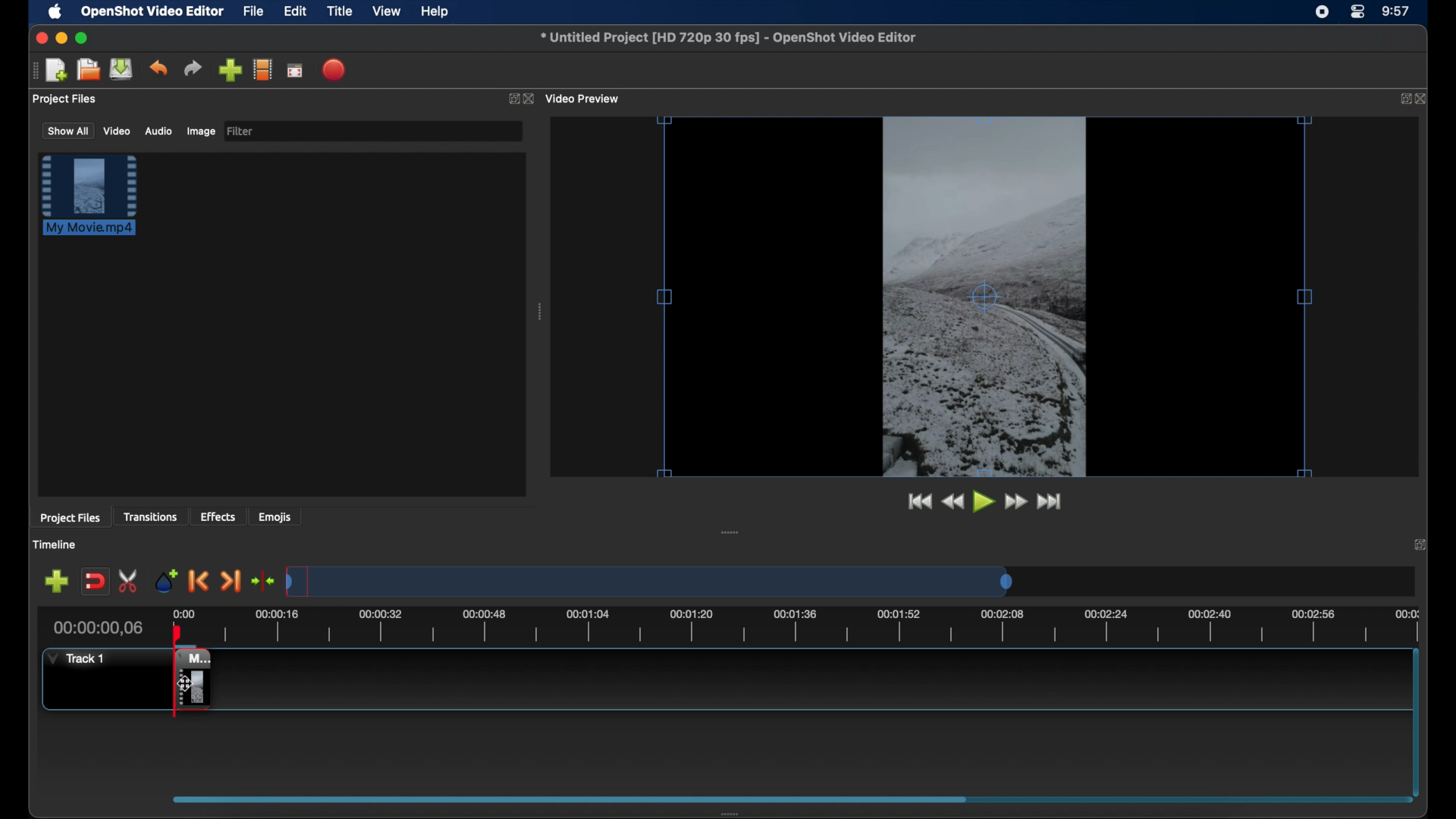  I want to click on effects, so click(218, 516).